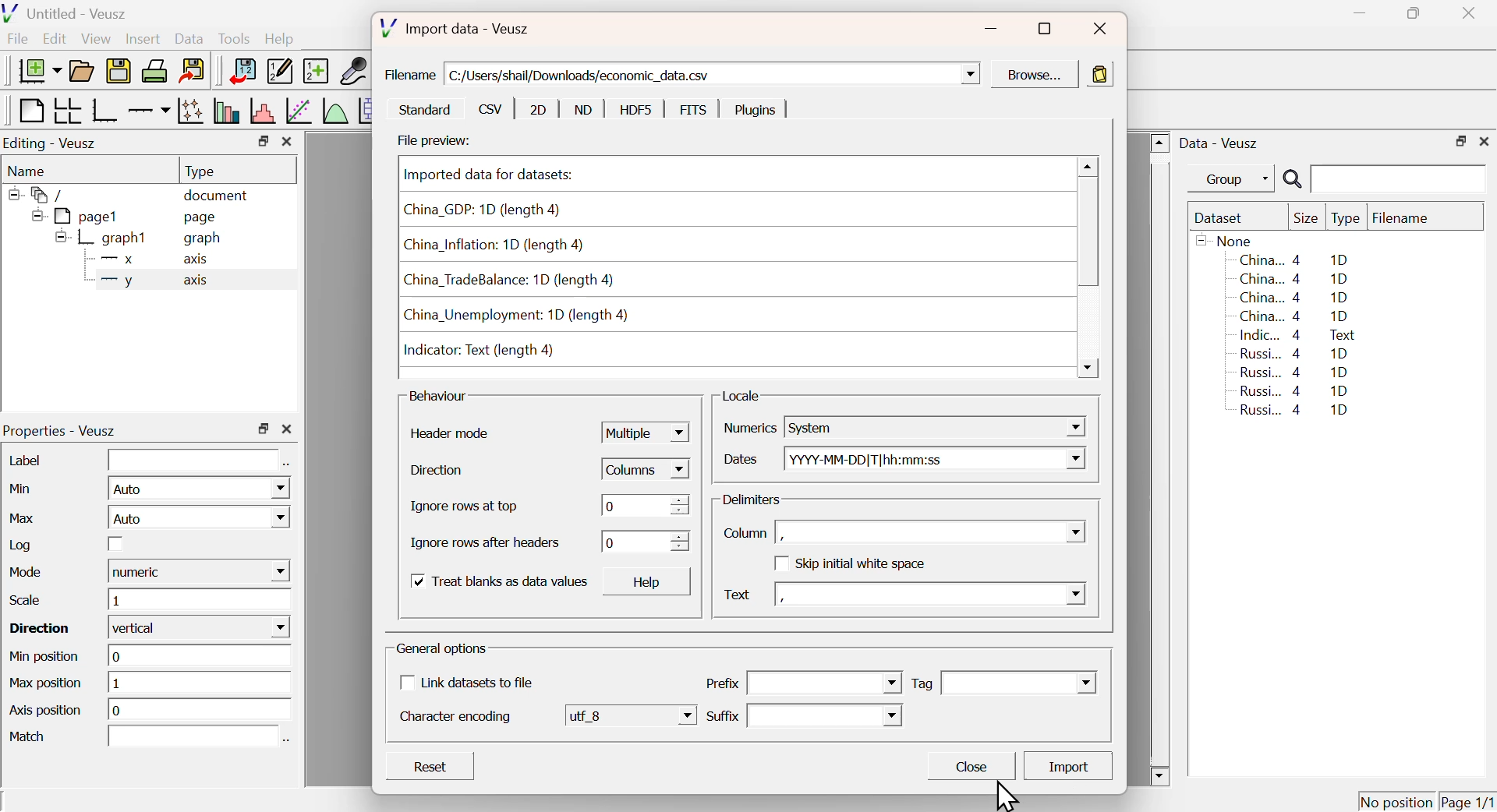  I want to click on Editing - Veusz, so click(52, 144).